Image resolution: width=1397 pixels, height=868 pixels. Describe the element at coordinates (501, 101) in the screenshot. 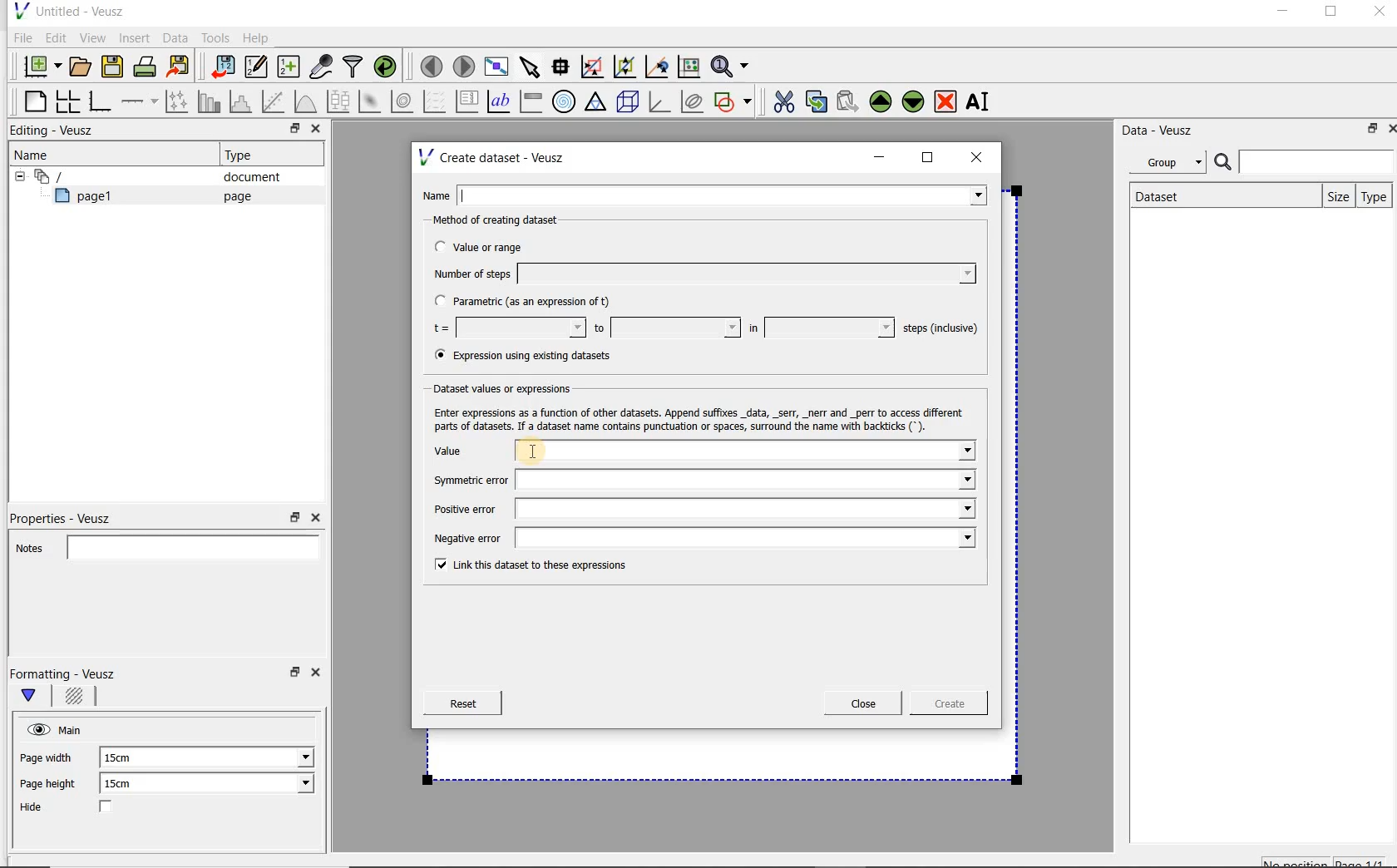

I see `text label` at that location.